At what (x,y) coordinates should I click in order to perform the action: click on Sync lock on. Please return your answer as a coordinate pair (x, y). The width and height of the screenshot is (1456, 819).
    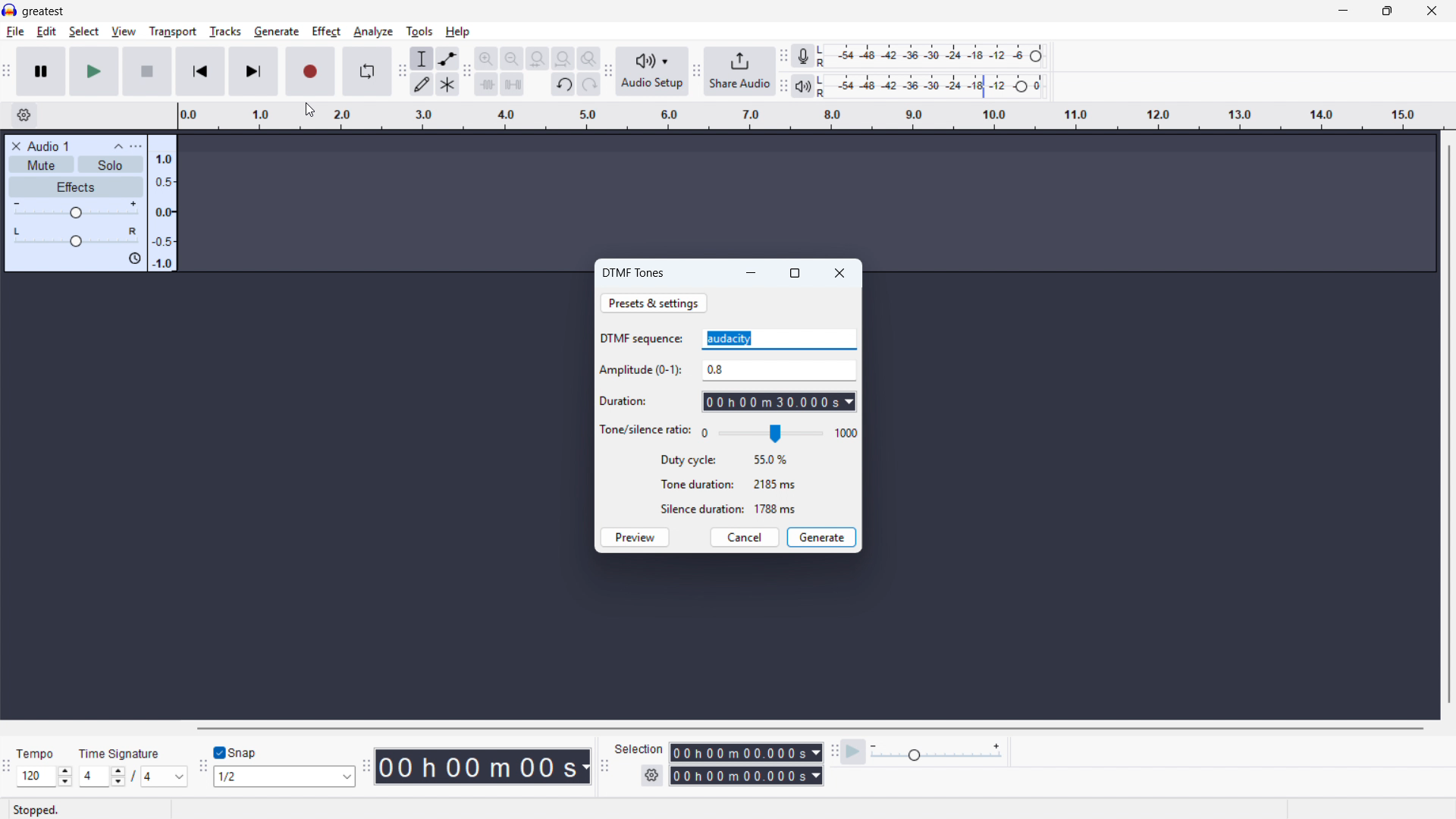
    Looking at the image, I should click on (135, 259).